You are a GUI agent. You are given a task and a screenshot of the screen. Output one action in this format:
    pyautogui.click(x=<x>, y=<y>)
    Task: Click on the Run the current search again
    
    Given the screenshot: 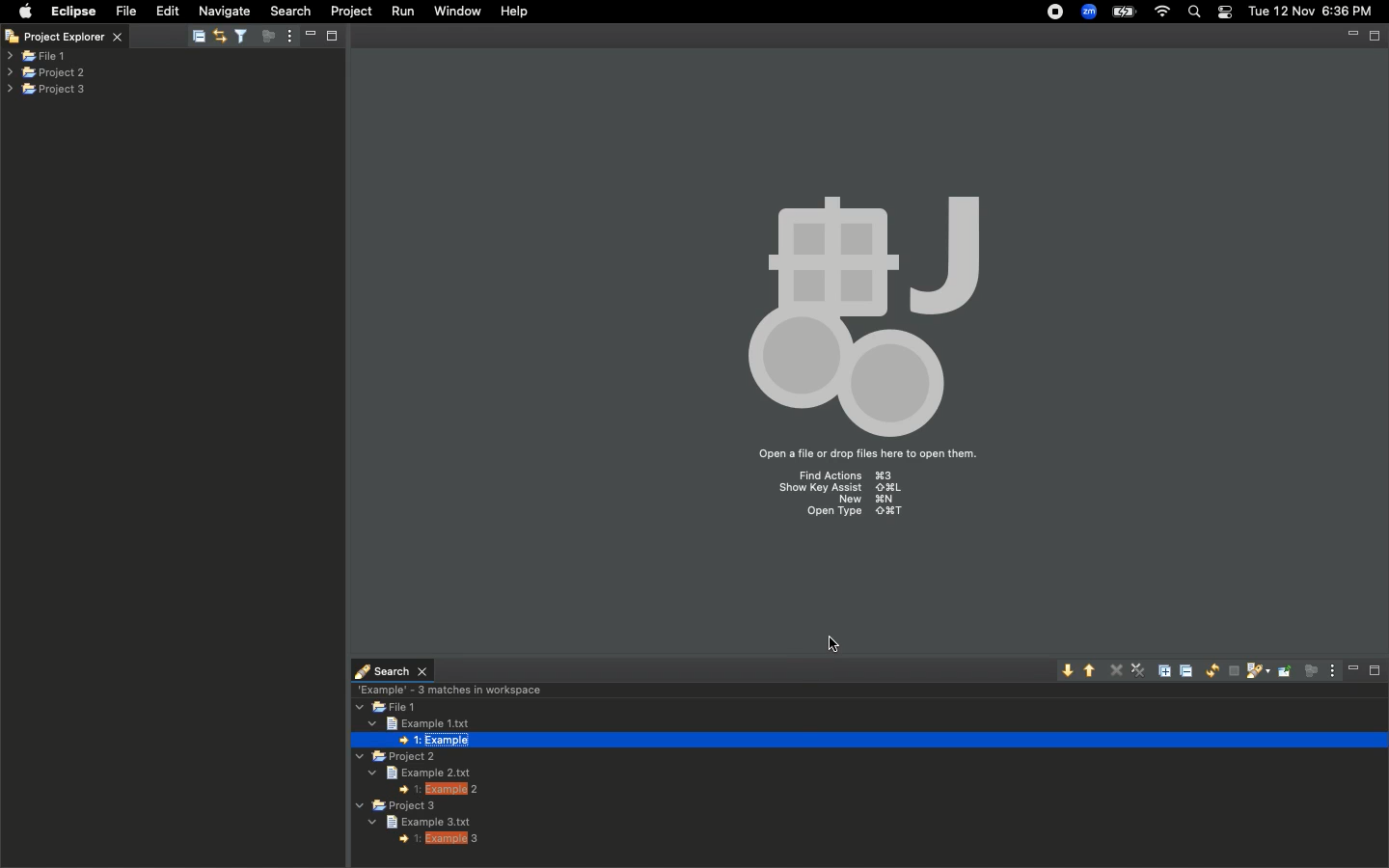 What is the action you would take?
    pyautogui.click(x=1208, y=670)
    